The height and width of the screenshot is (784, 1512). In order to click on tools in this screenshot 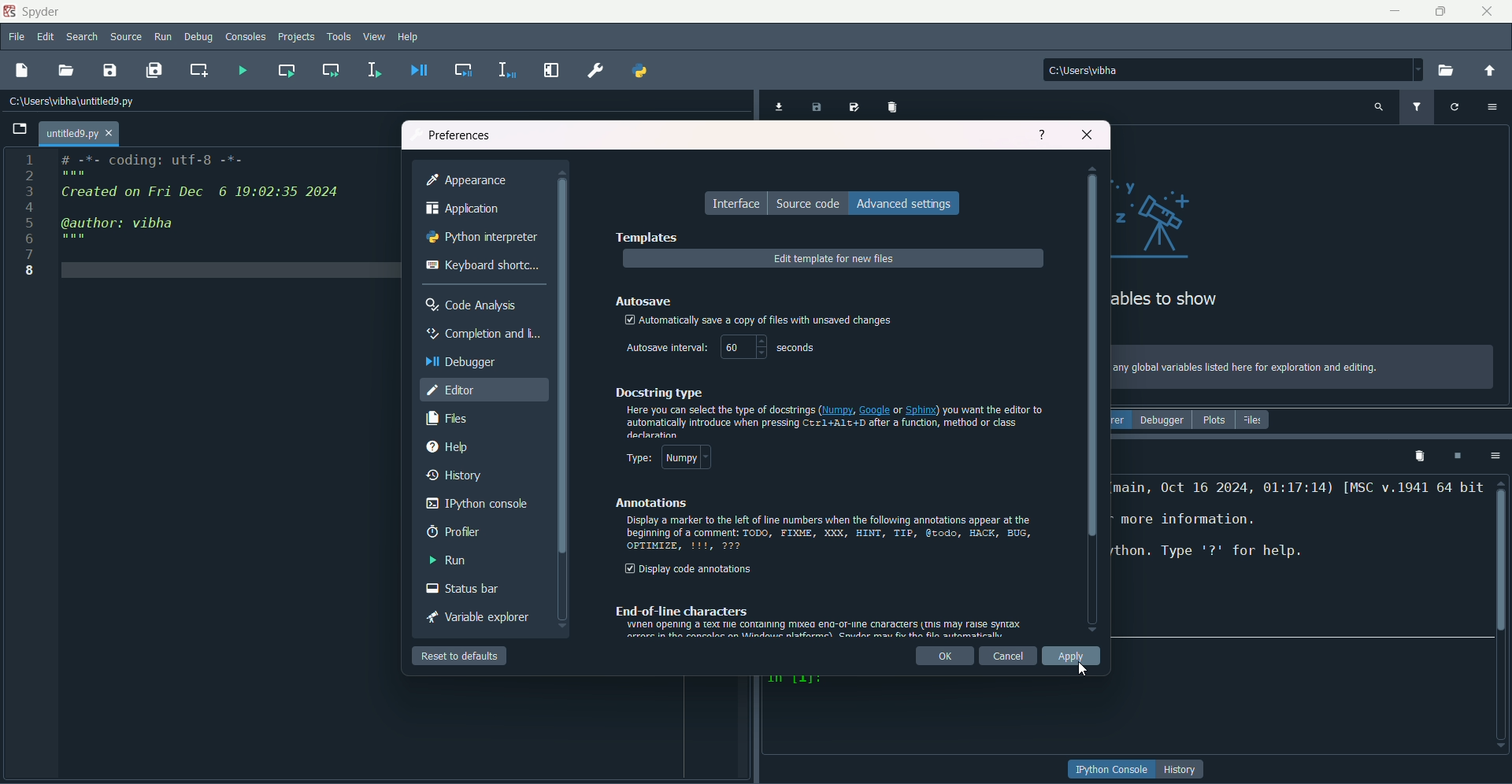, I will do `click(343, 39)`.